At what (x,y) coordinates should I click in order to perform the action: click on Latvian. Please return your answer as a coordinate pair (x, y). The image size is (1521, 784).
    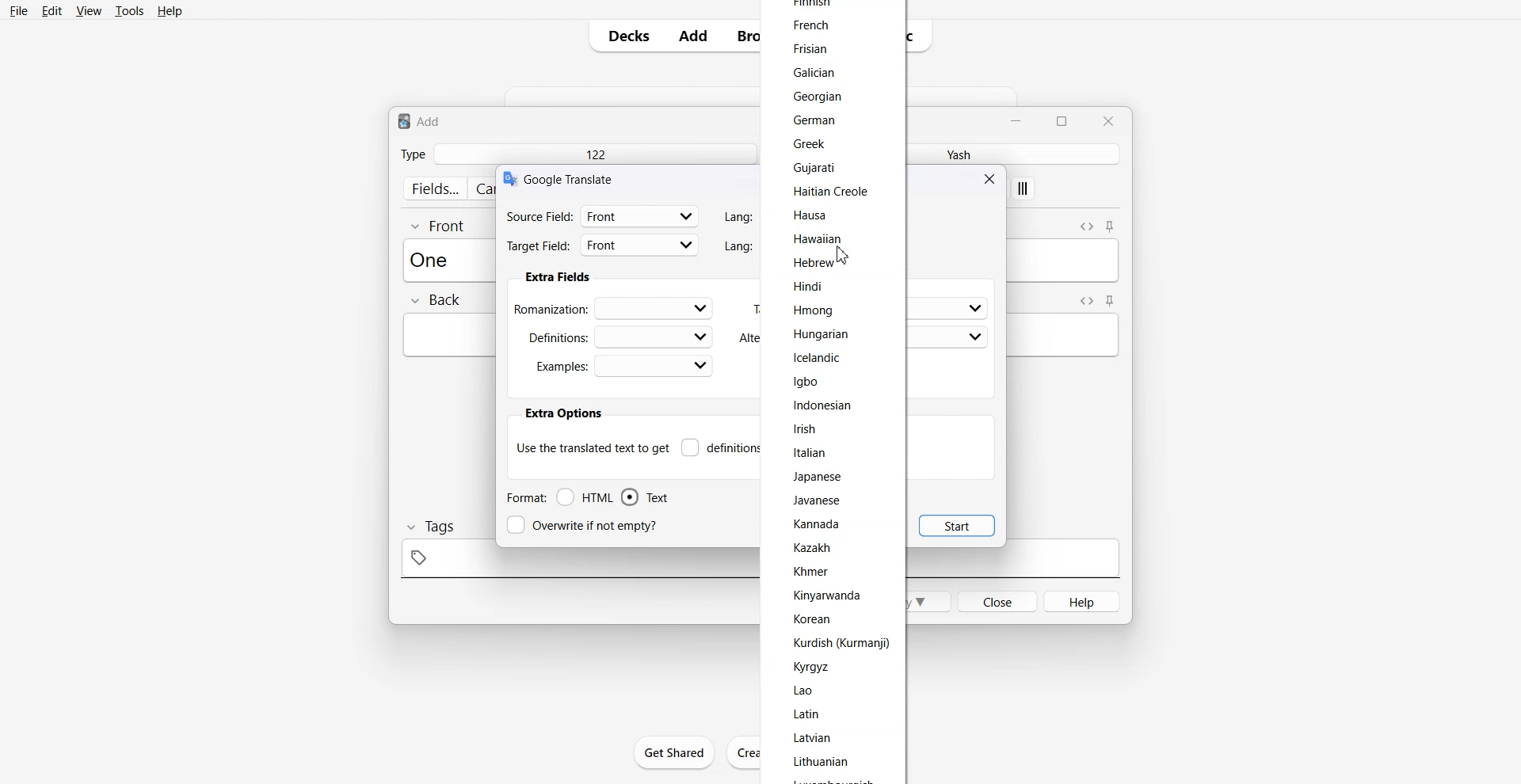
    Looking at the image, I should click on (815, 737).